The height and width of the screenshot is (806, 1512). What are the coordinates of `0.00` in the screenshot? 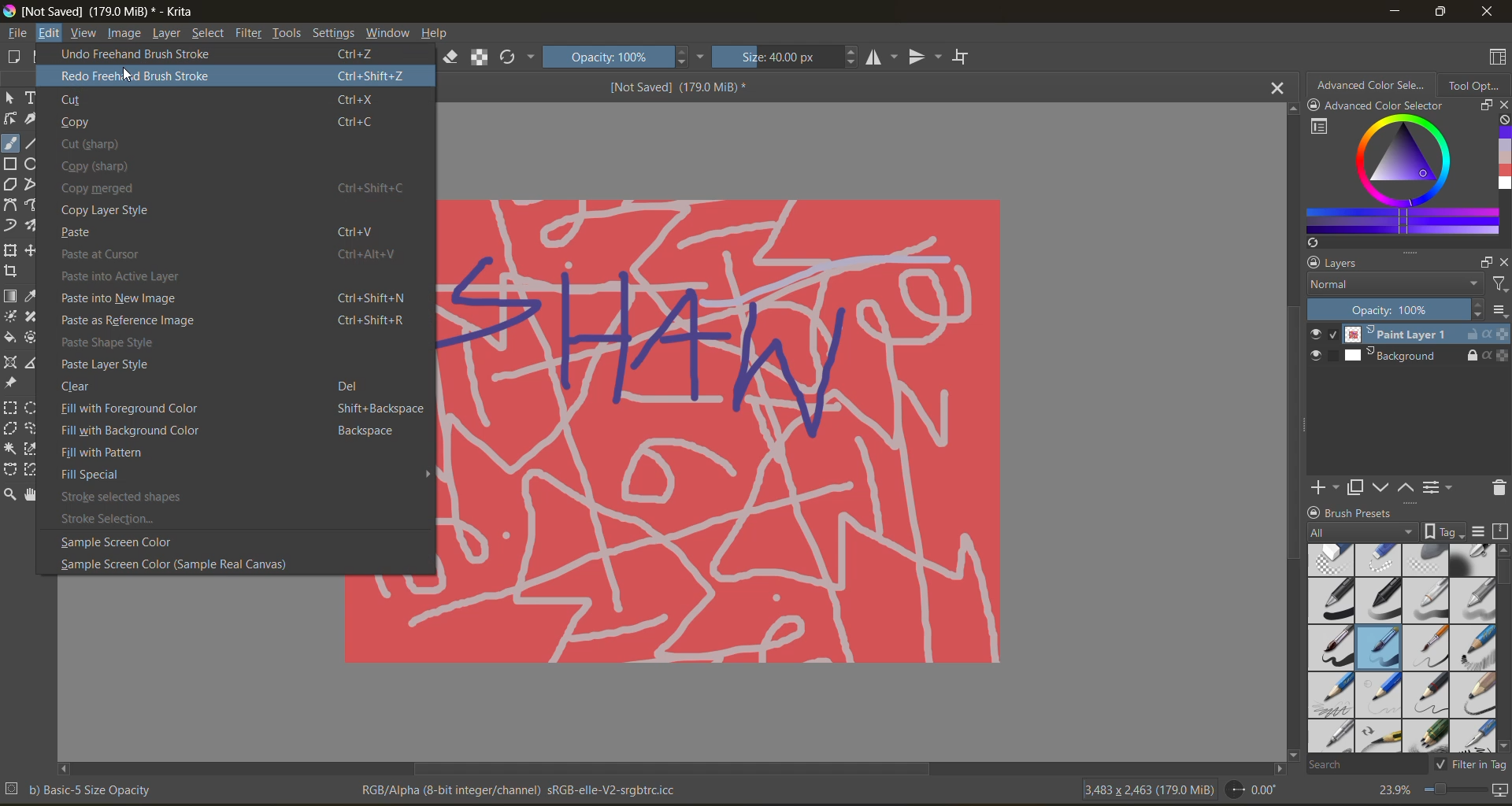 It's located at (1251, 788).